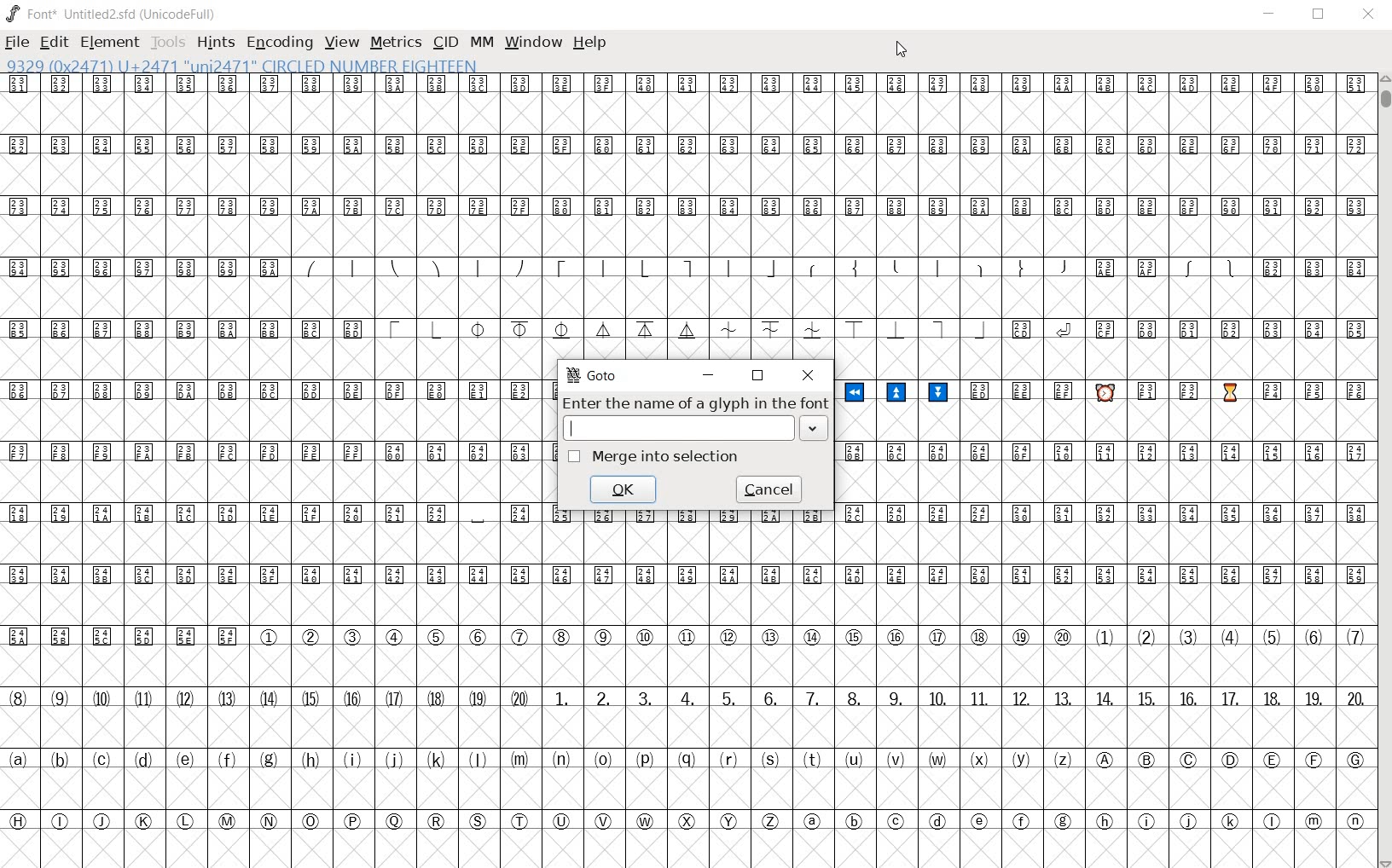 The image size is (1392, 868). Describe the element at coordinates (772, 489) in the screenshot. I see `cancel` at that location.